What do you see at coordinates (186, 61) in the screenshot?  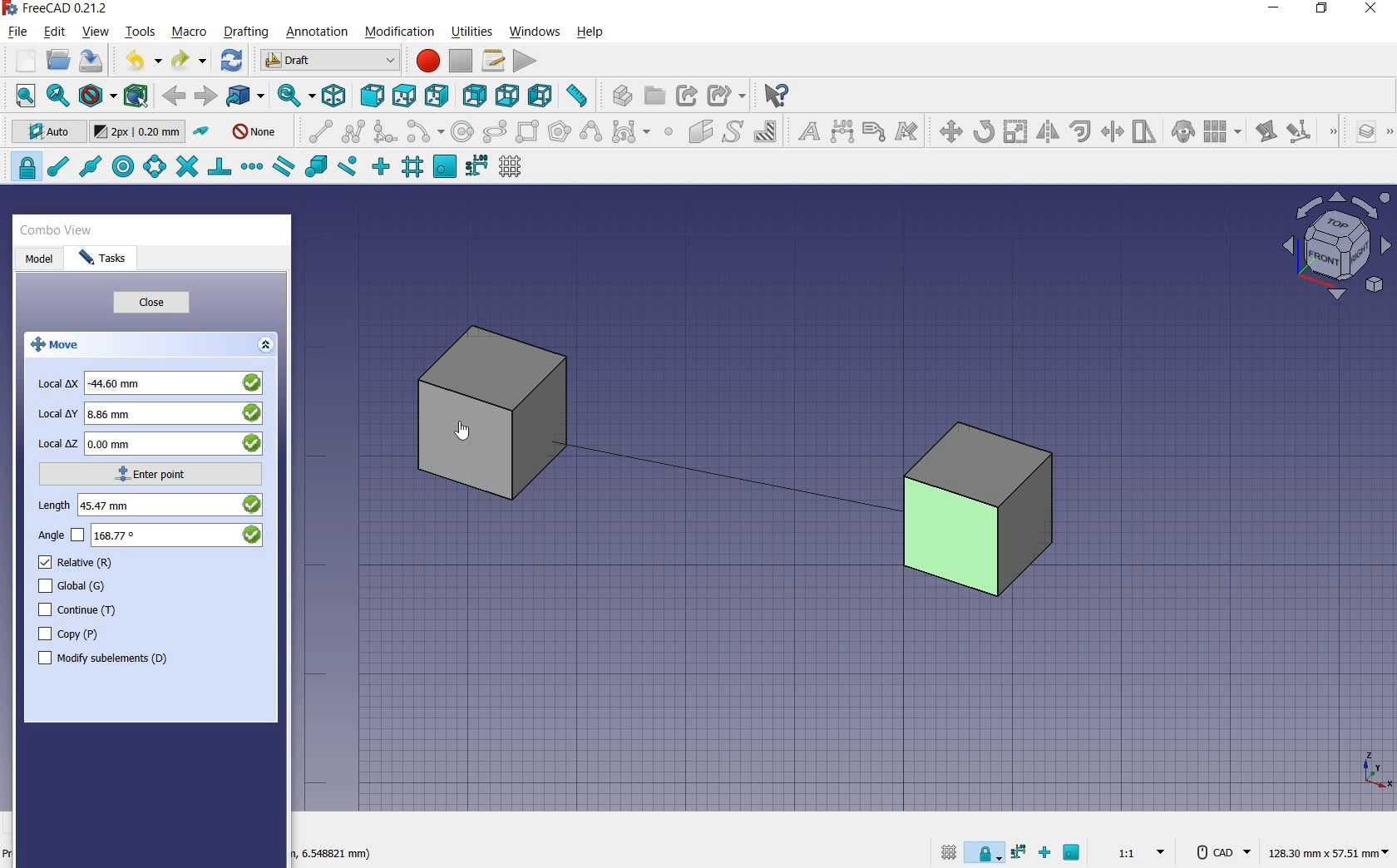 I see `redo` at bounding box center [186, 61].